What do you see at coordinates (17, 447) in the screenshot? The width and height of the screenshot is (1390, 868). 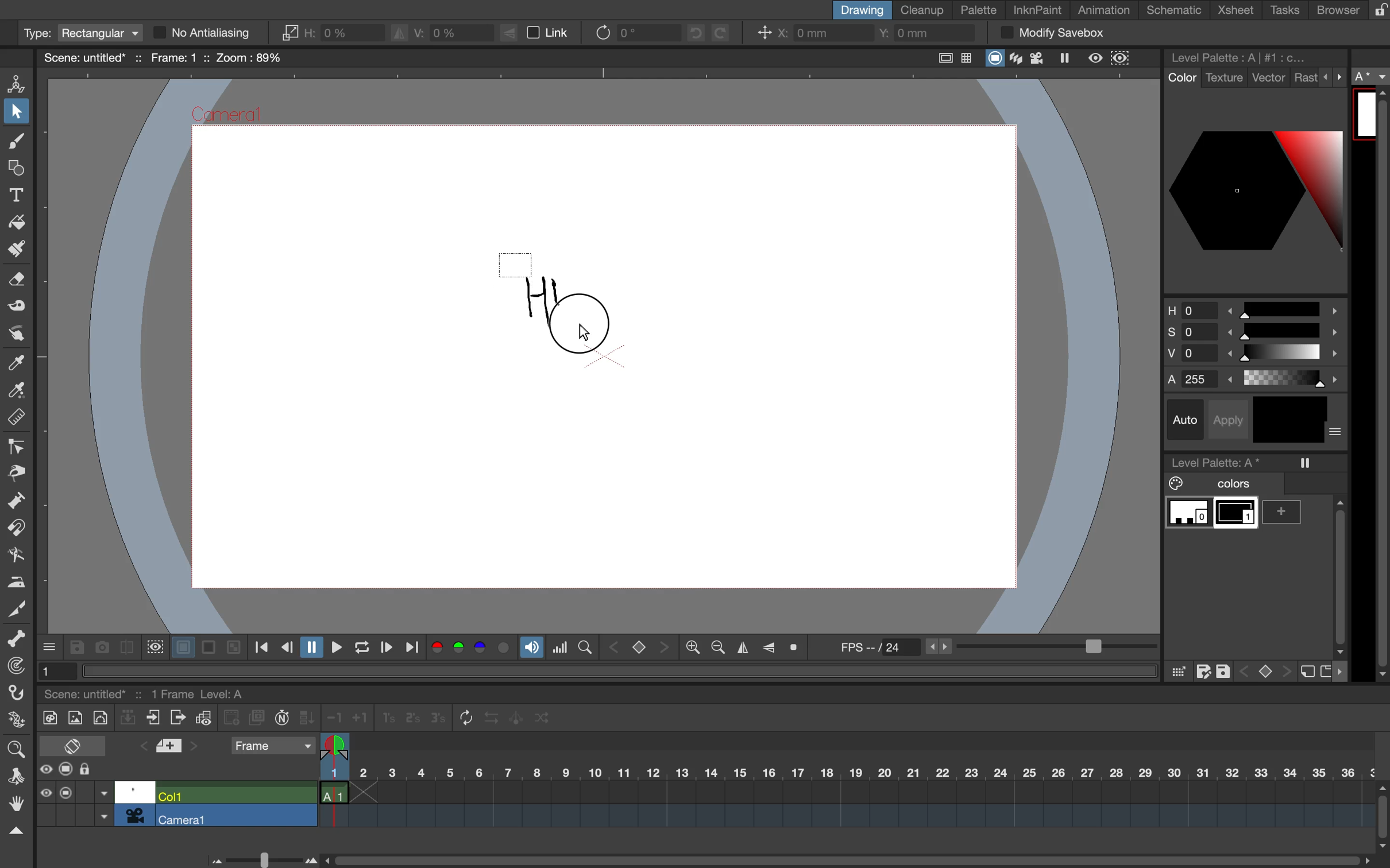 I see `control point edit tool` at bounding box center [17, 447].